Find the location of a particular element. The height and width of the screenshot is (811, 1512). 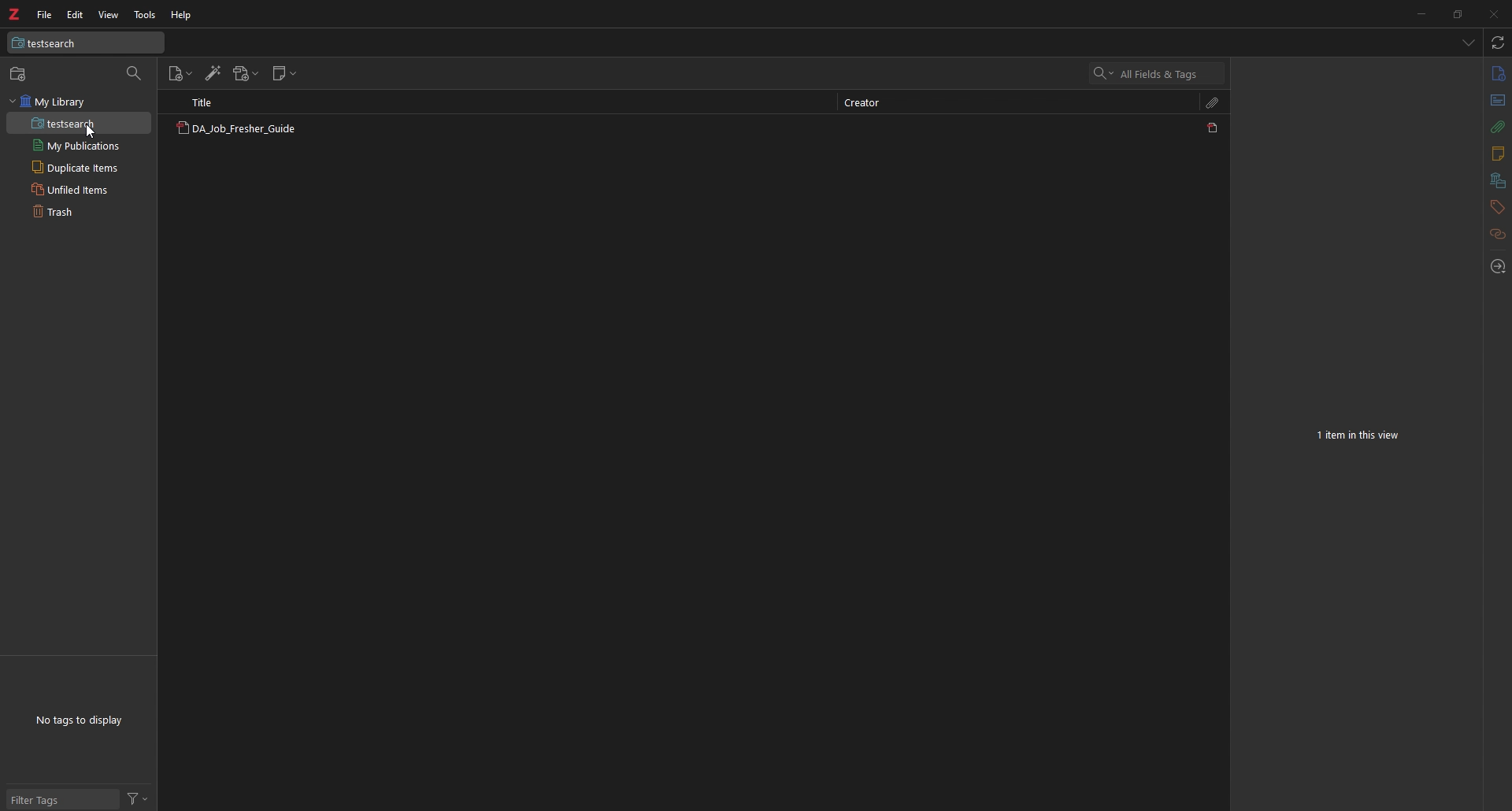

filter tags is located at coordinates (63, 799).